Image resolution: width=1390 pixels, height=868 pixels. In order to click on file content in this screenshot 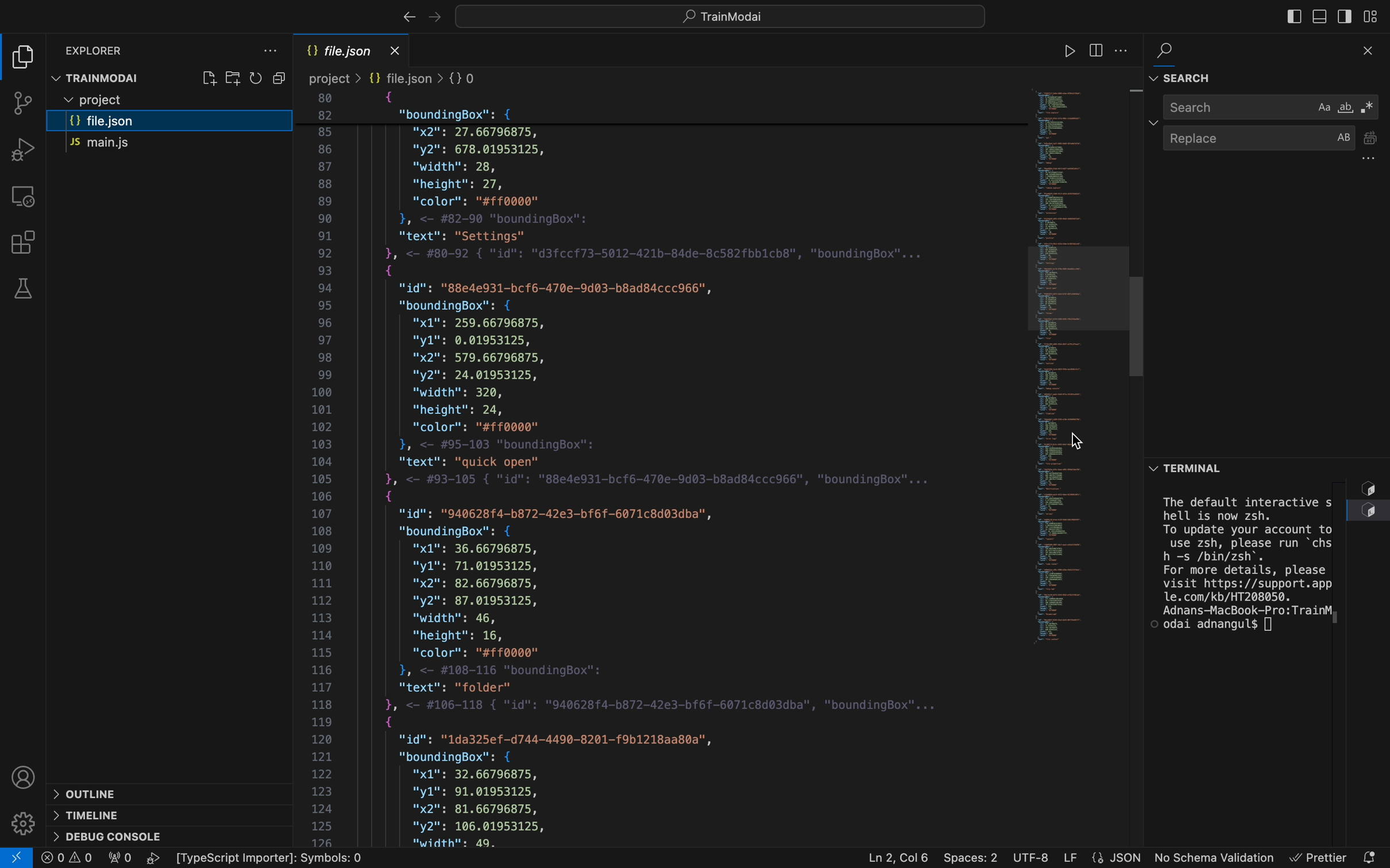, I will do `click(650, 468)`.